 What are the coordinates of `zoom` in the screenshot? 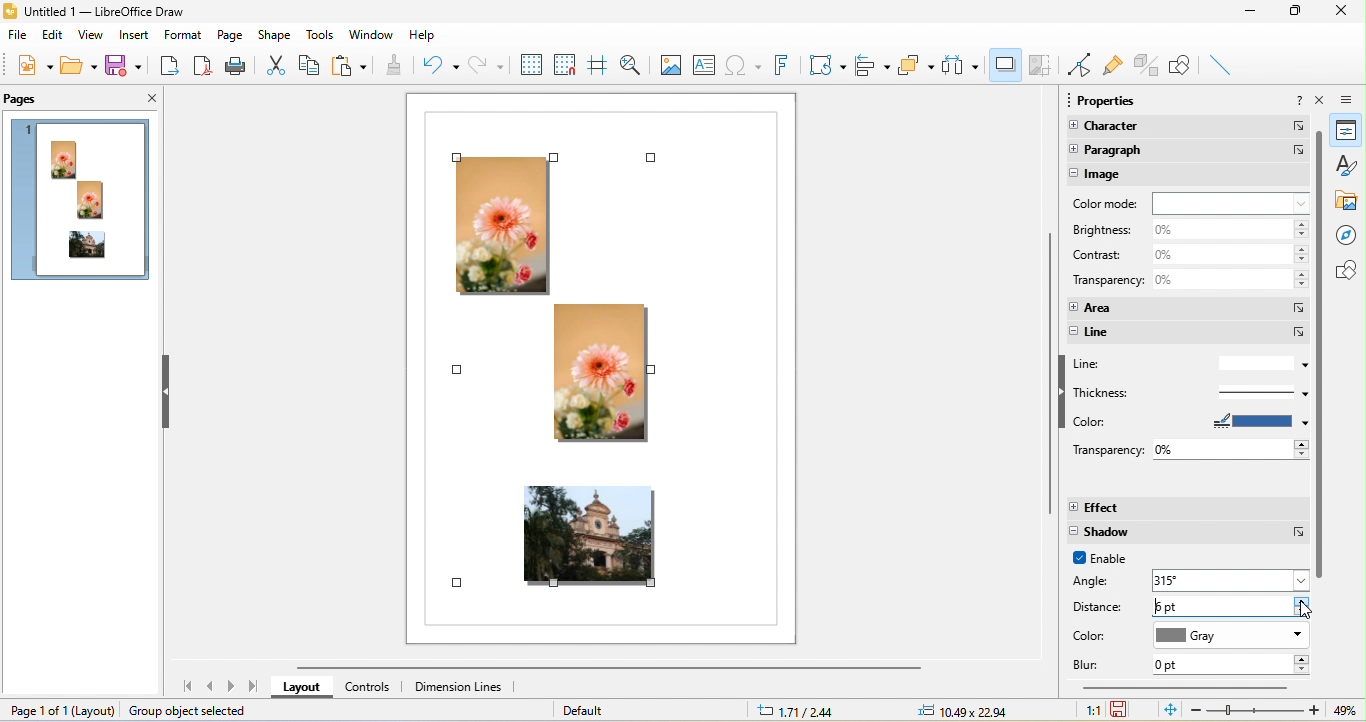 It's located at (1256, 710).